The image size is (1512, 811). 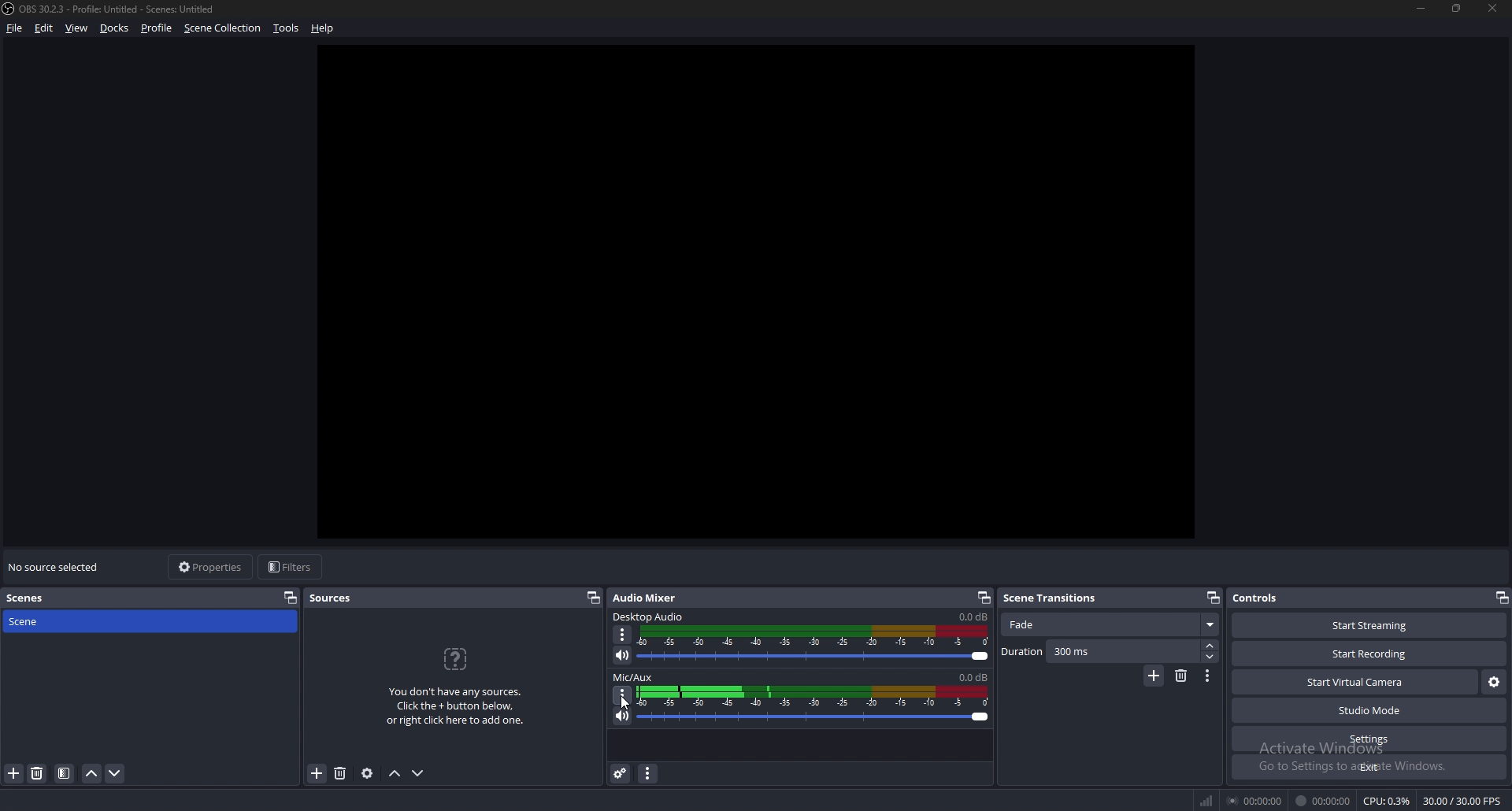 What do you see at coordinates (325, 28) in the screenshot?
I see `help` at bounding box center [325, 28].